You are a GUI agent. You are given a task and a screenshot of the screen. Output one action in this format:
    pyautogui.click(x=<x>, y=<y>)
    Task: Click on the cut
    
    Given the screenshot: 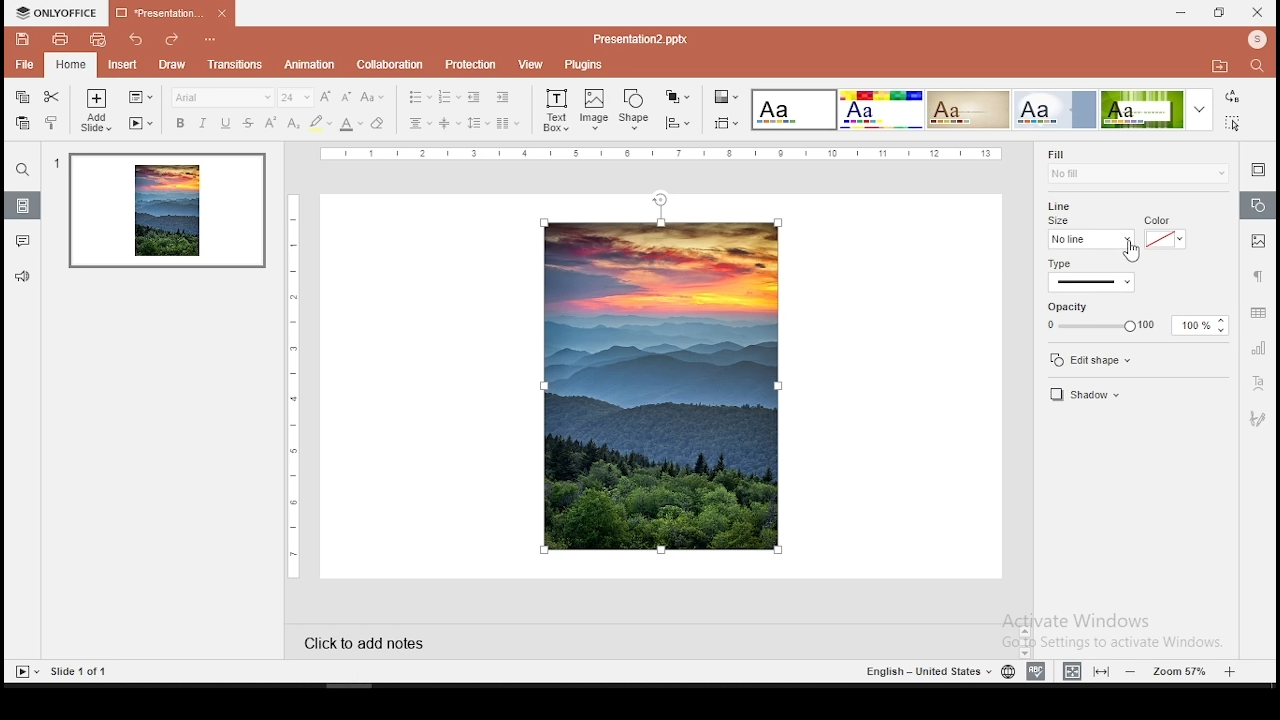 What is the action you would take?
    pyautogui.click(x=52, y=97)
    